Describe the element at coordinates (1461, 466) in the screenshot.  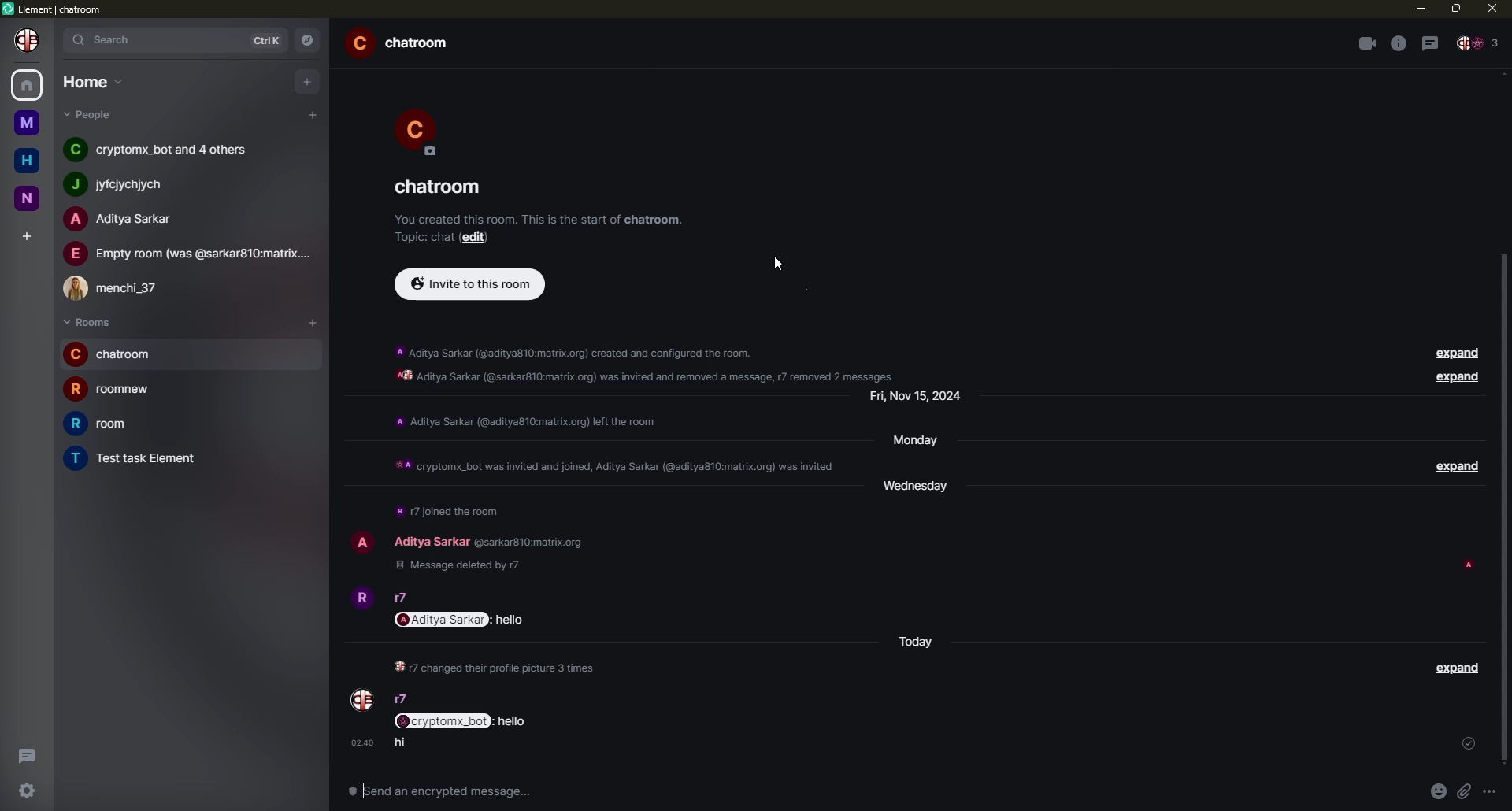
I see `expand` at that location.